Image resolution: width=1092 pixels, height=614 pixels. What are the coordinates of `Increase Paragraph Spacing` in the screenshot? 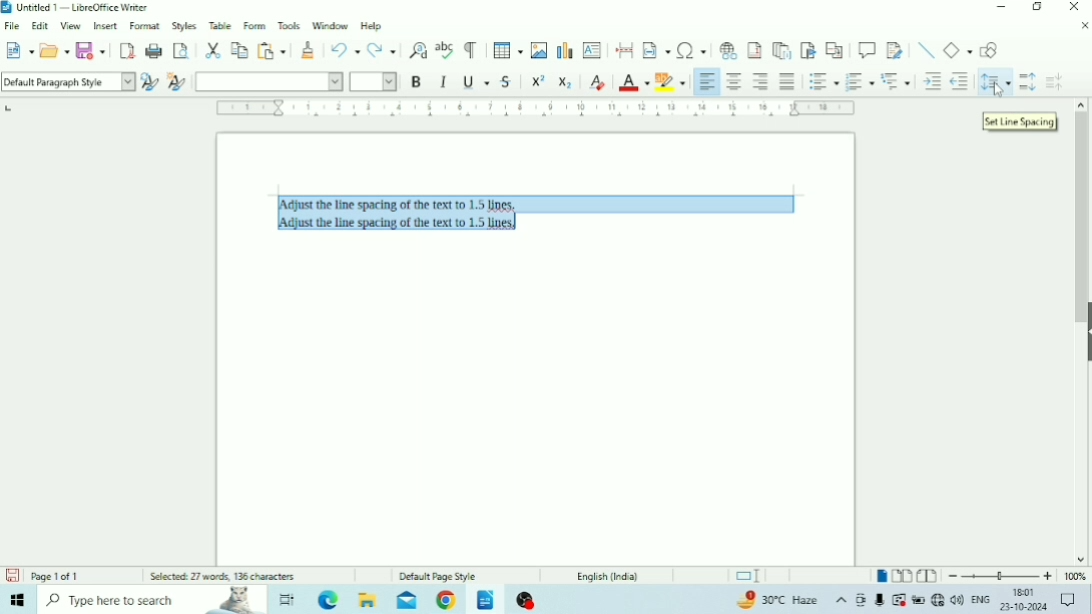 It's located at (1027, 82).